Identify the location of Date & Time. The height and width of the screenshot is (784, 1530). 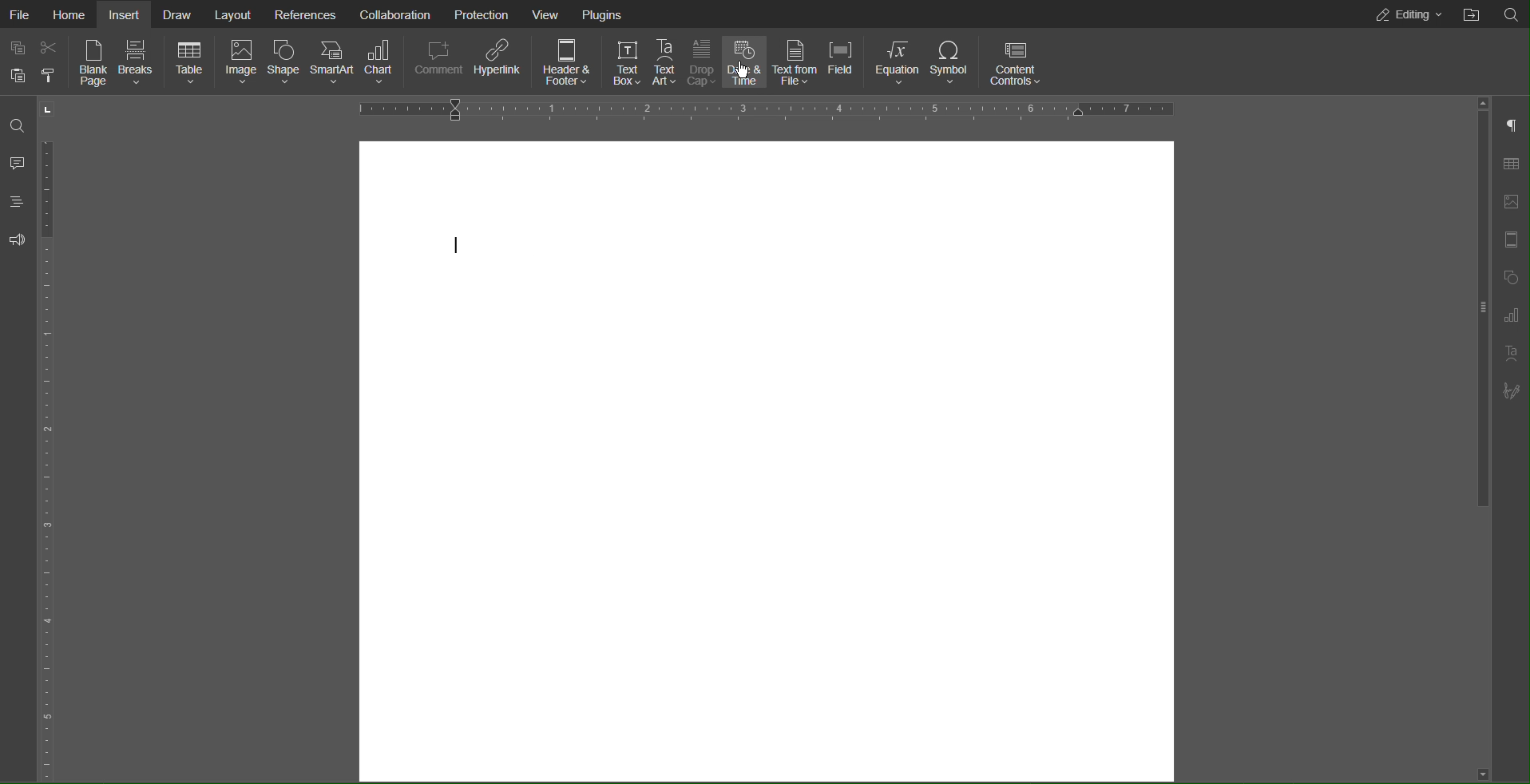
(745, 60).